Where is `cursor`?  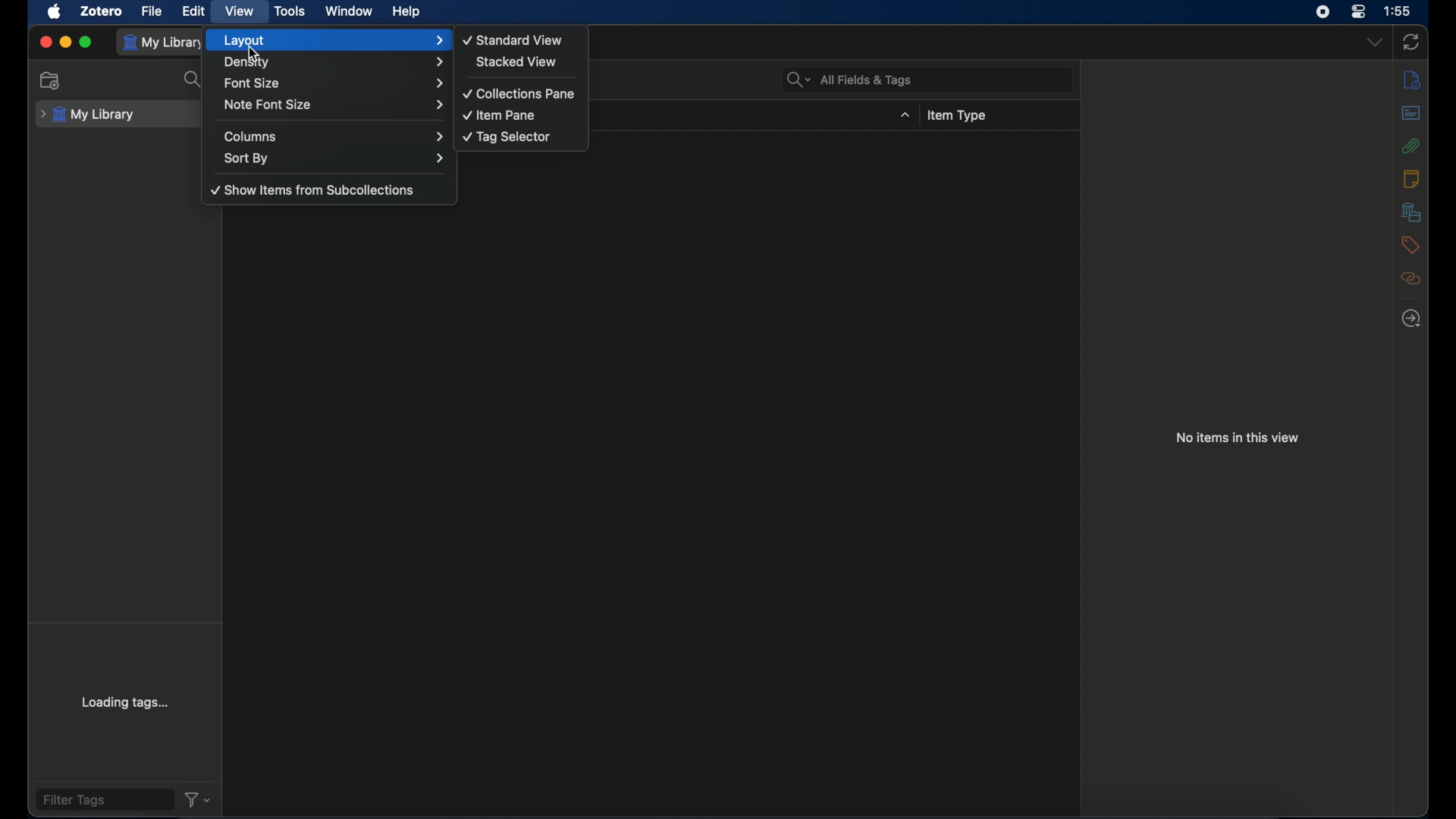
cursor is located at coordinates (253, 53).